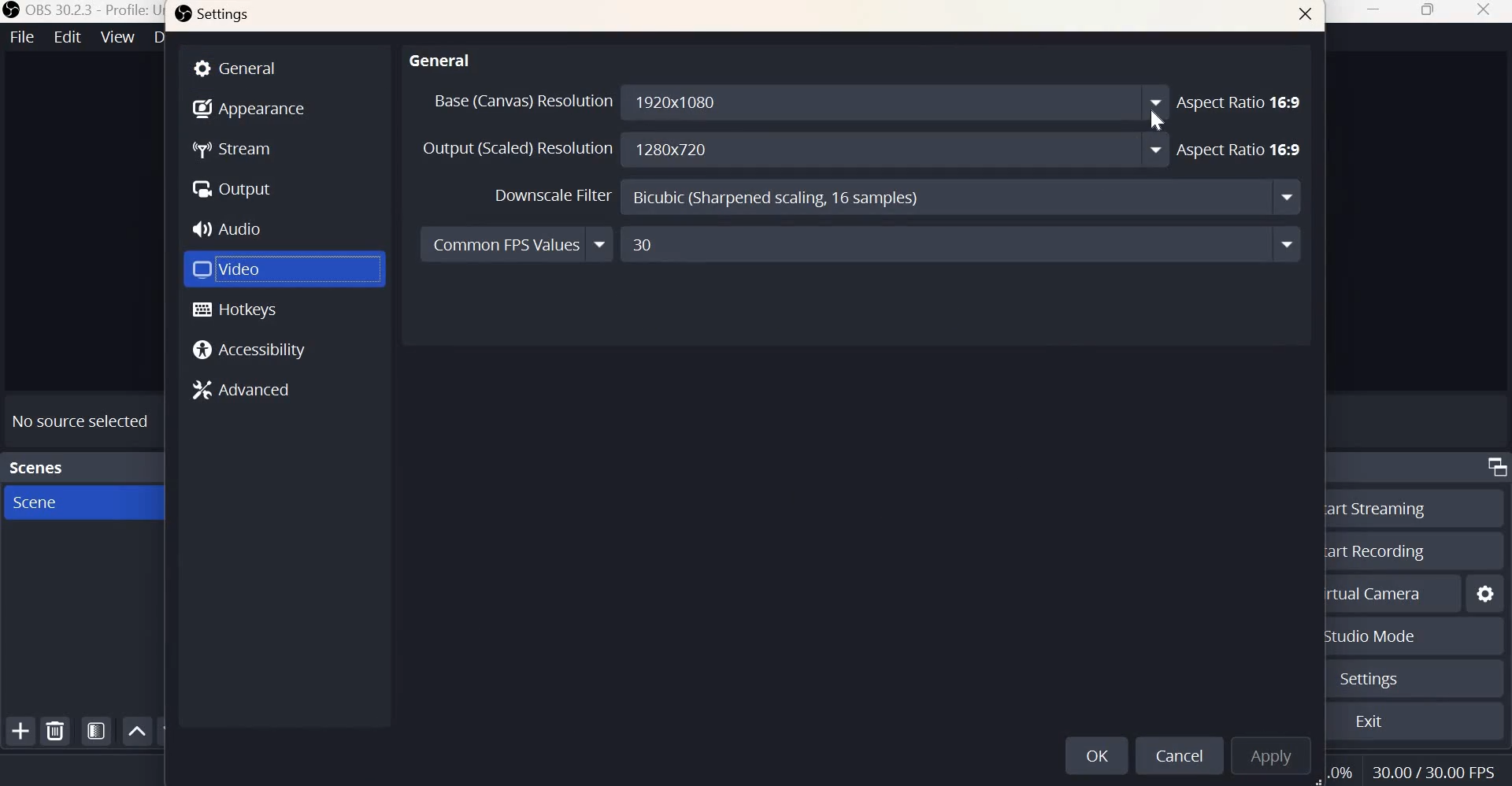 Image resolution: width=1512 pixels, height=786 pixels. I want to click on Settings, so click(214, 17).